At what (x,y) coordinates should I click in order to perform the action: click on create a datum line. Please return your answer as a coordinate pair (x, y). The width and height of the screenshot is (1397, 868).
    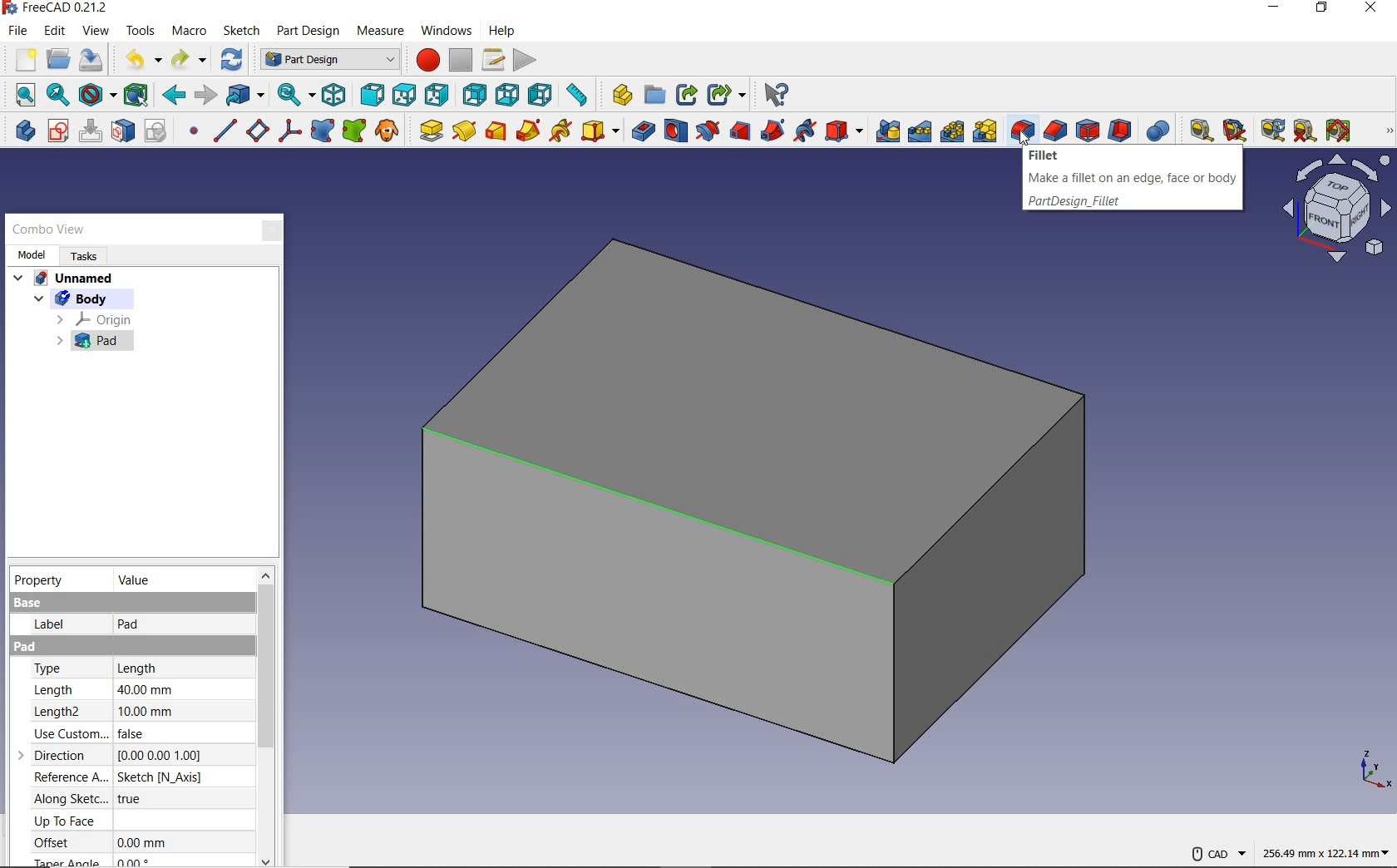
    Looking at the image, I should click on (222, 131).